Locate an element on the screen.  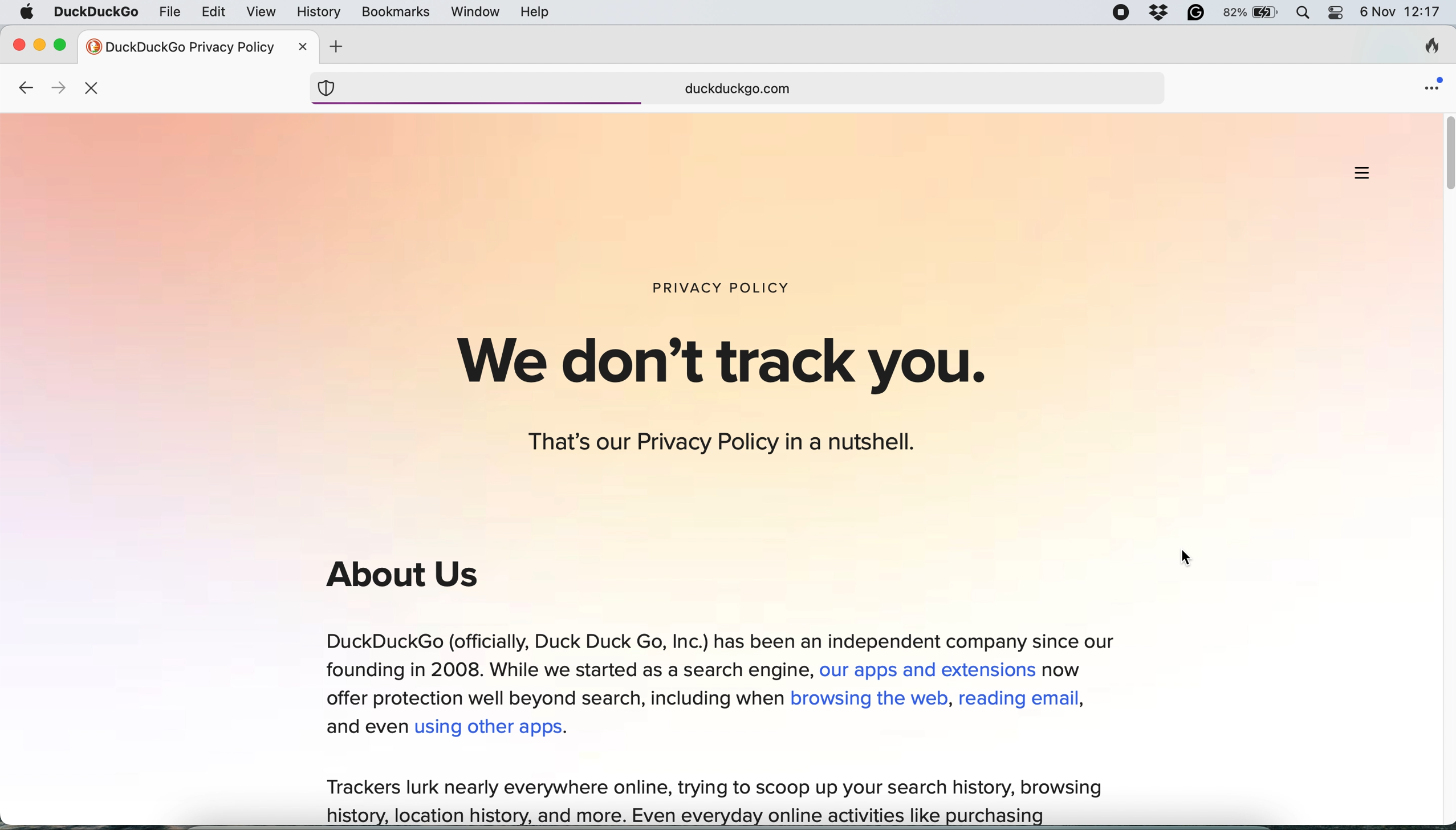
refresh is located at coordinates (95, 89).